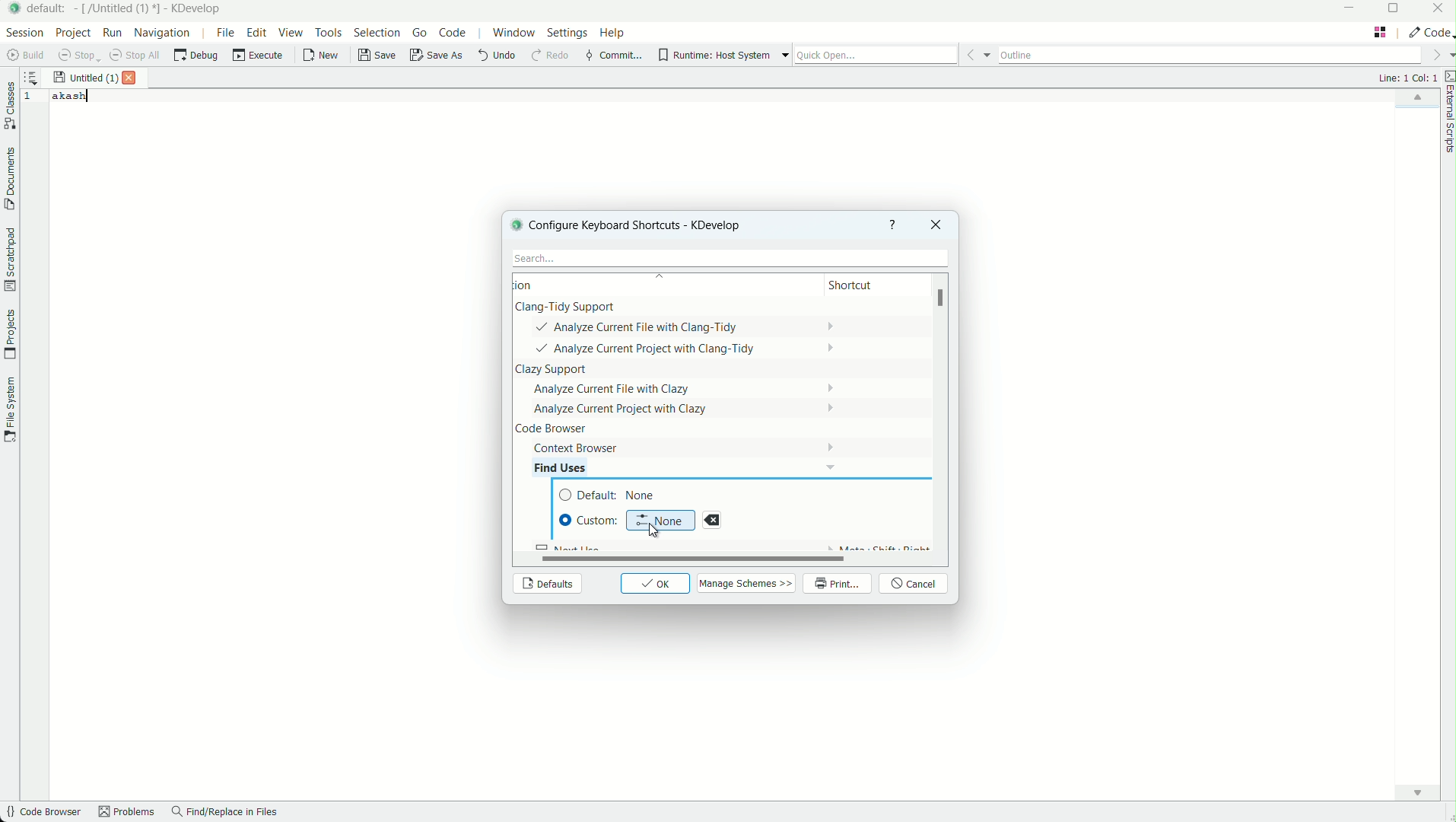  Describe the element at coordinates (377, 33) in the screenshot. I see `selection menu` at that location.